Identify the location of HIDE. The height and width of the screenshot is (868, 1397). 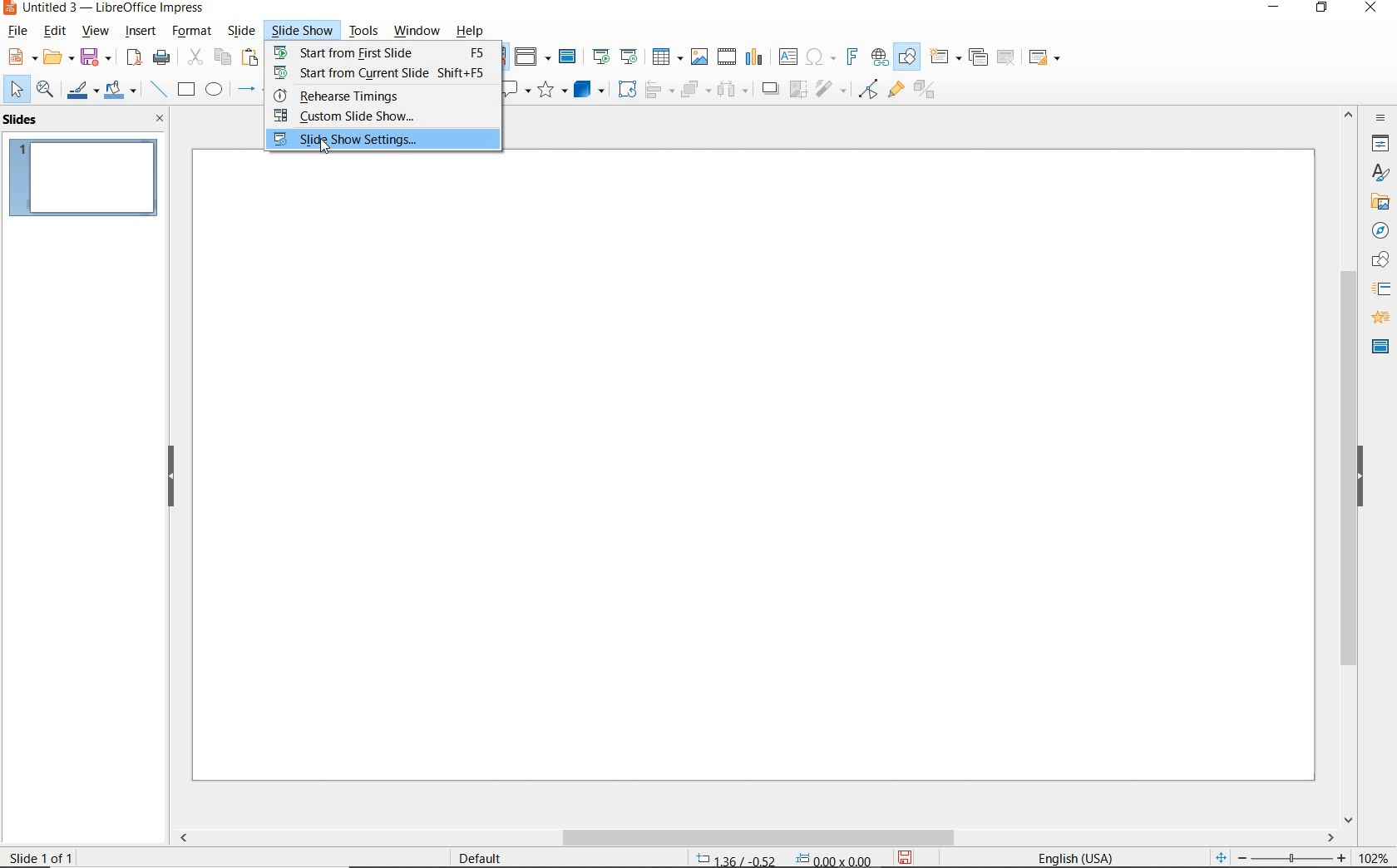
(1363, 476).